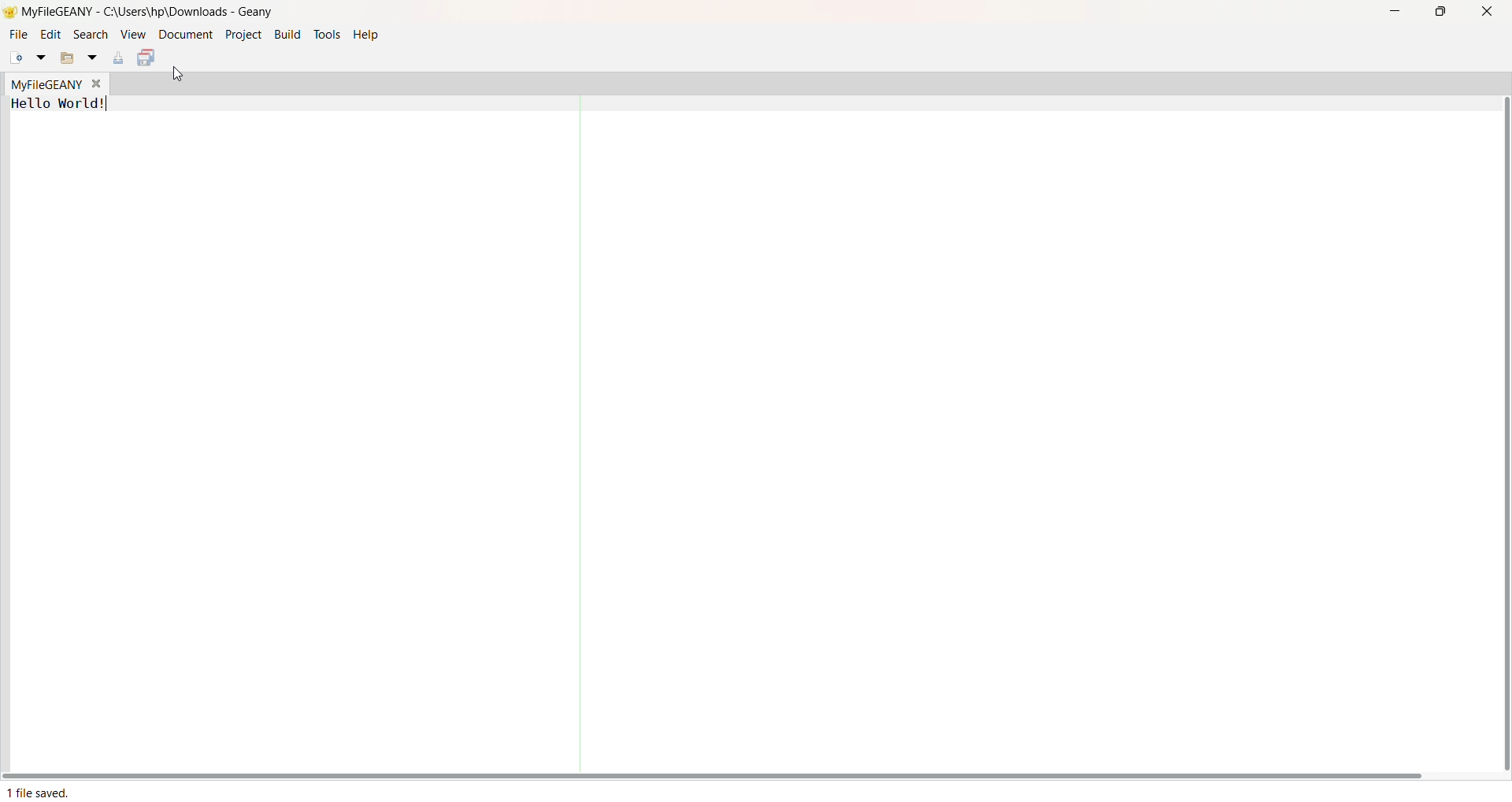 Image resolution: width=1512 pixels, height=802 pixels. Describe the element at coordinates (159, 12) in the screenshot. I see `MyFileGeany - C:\Users\hp\Downloads - Geany` at that location.